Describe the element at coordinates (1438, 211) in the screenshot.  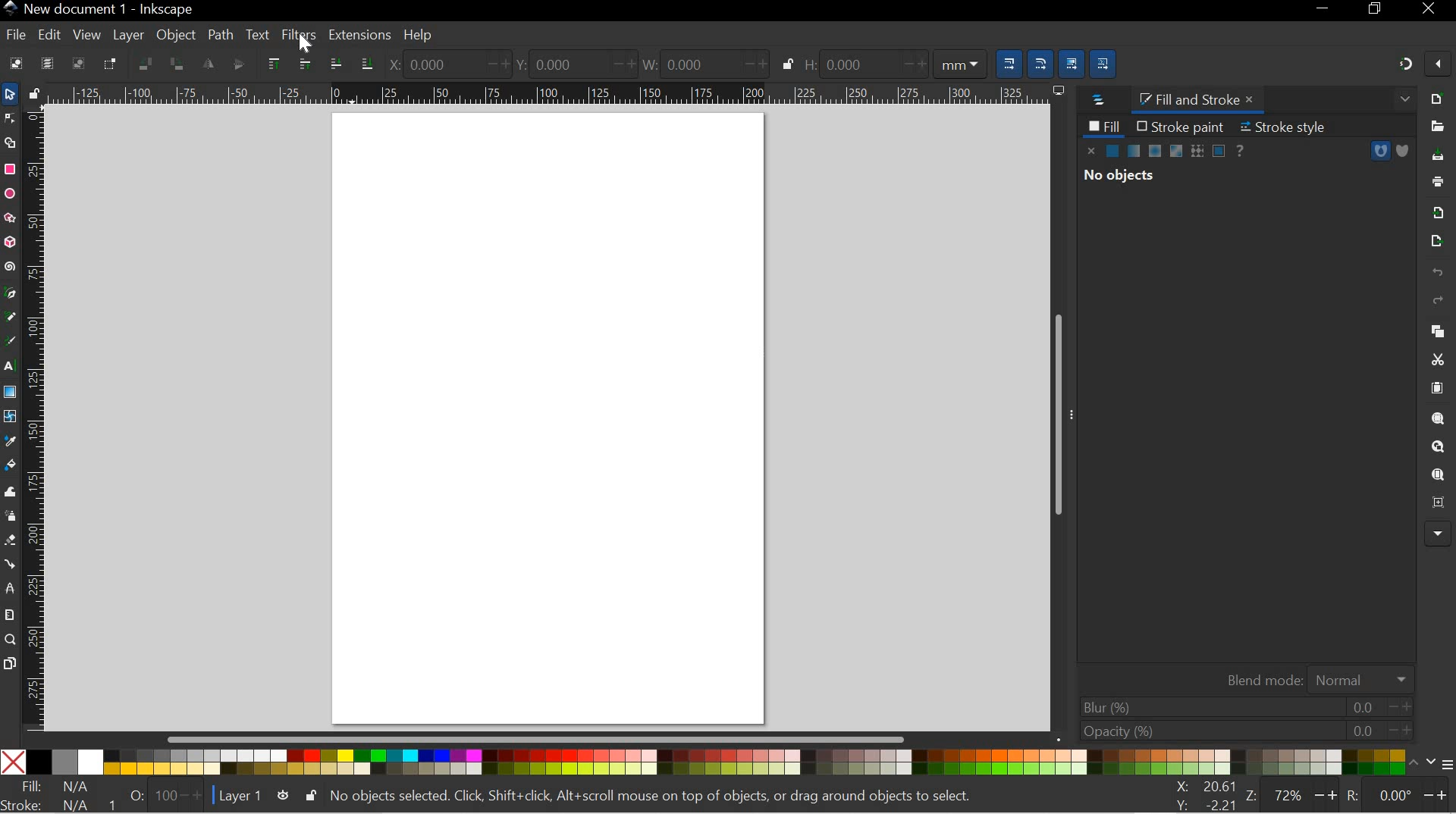
I see `IMPORT` at that location.